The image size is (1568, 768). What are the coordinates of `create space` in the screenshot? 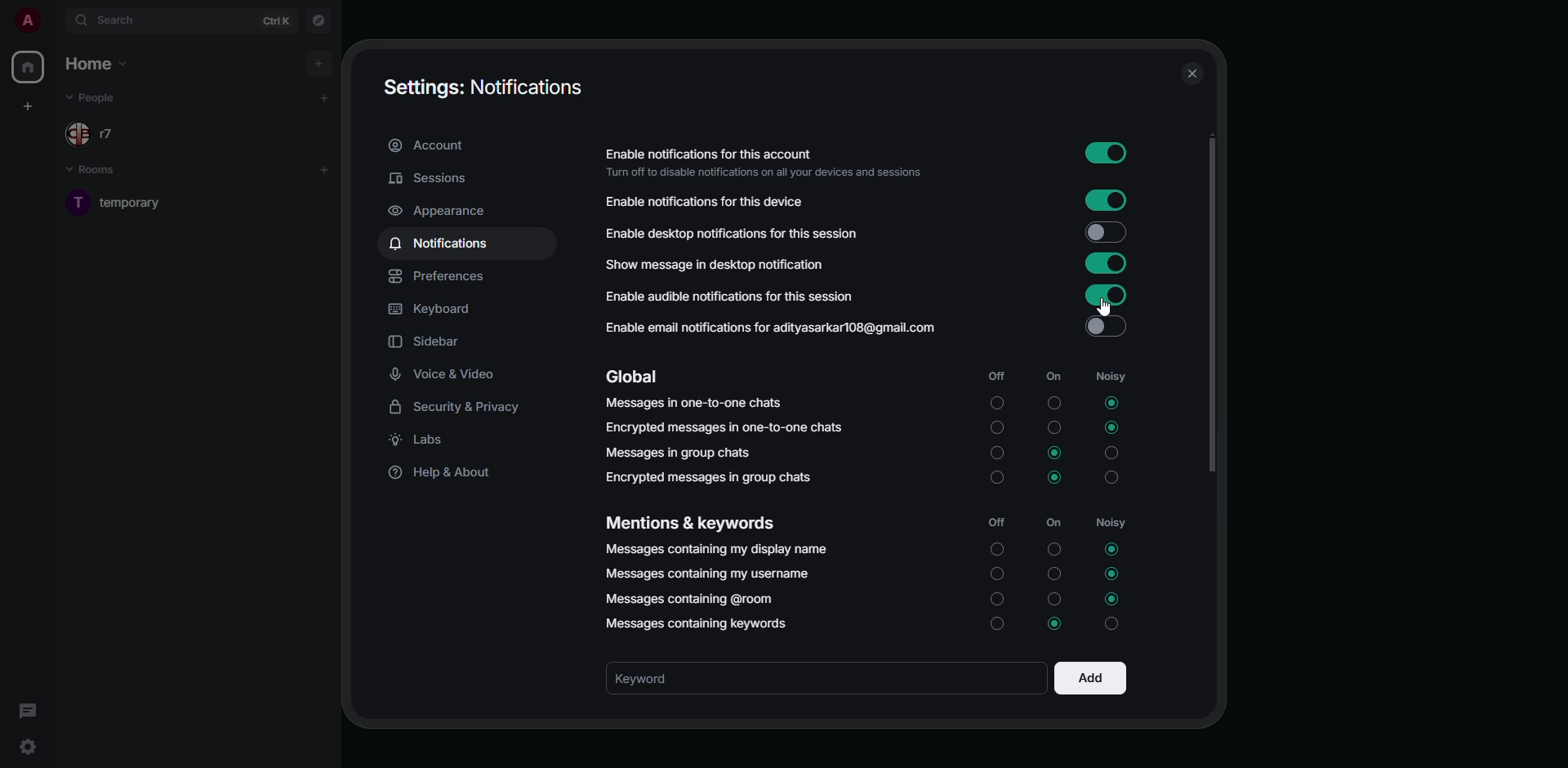 It's located at (28, 107).